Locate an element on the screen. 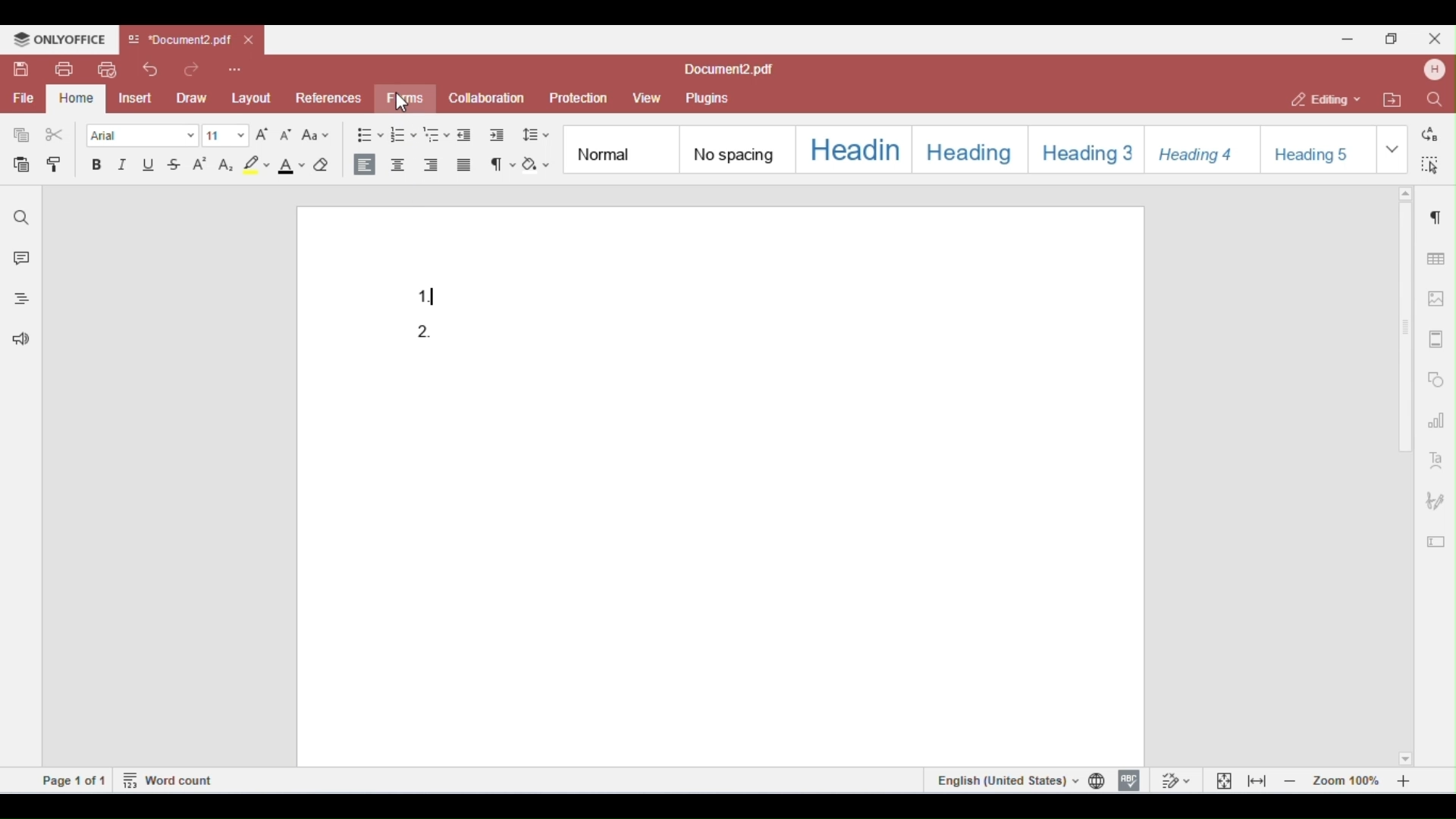 The height and width of the screenshot is (819, 1456). draw is located at coordinates (194, 97).